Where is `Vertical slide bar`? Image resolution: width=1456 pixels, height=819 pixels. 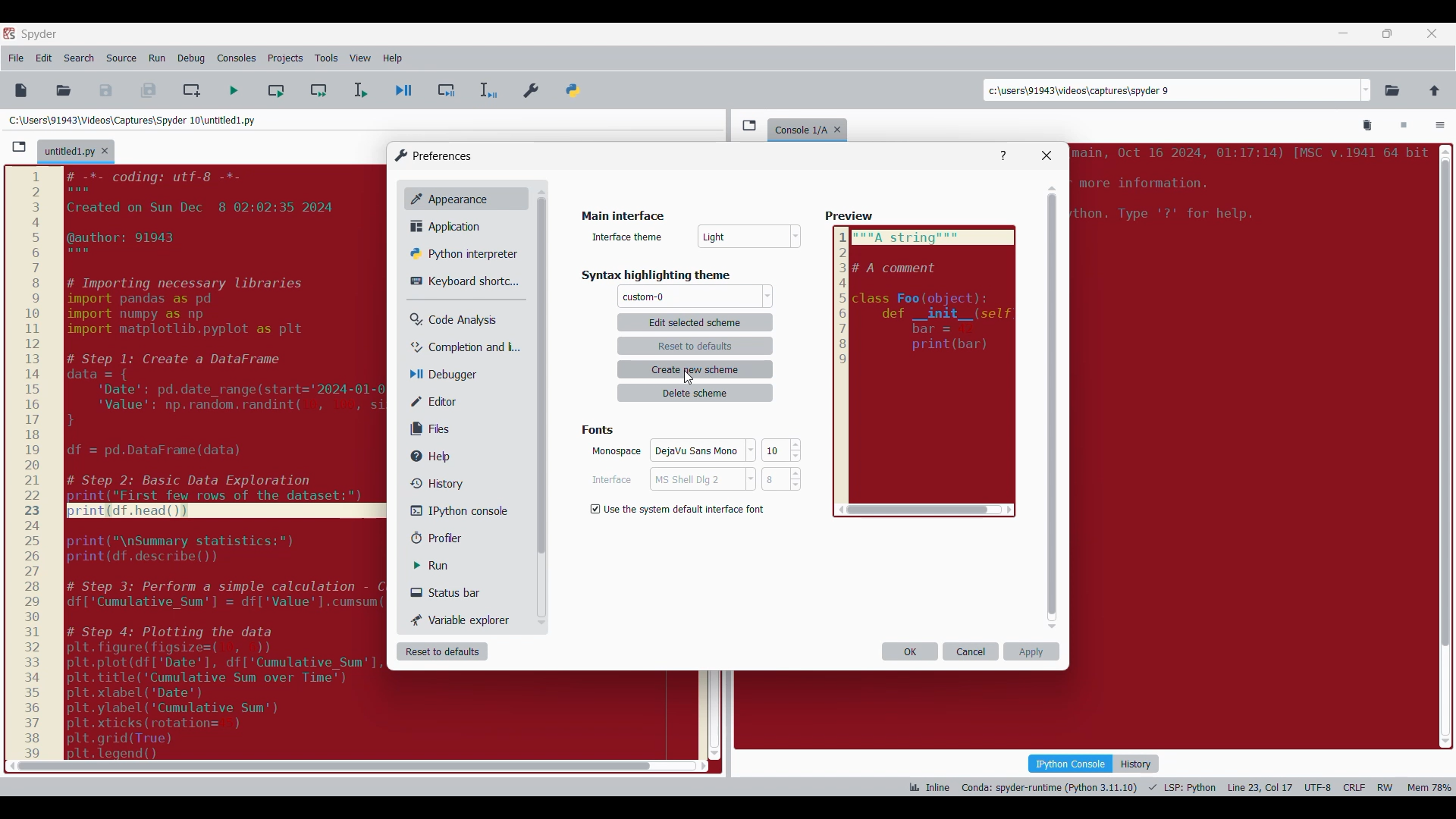
Vertical slide bar is located at coordinates (1053, 407).